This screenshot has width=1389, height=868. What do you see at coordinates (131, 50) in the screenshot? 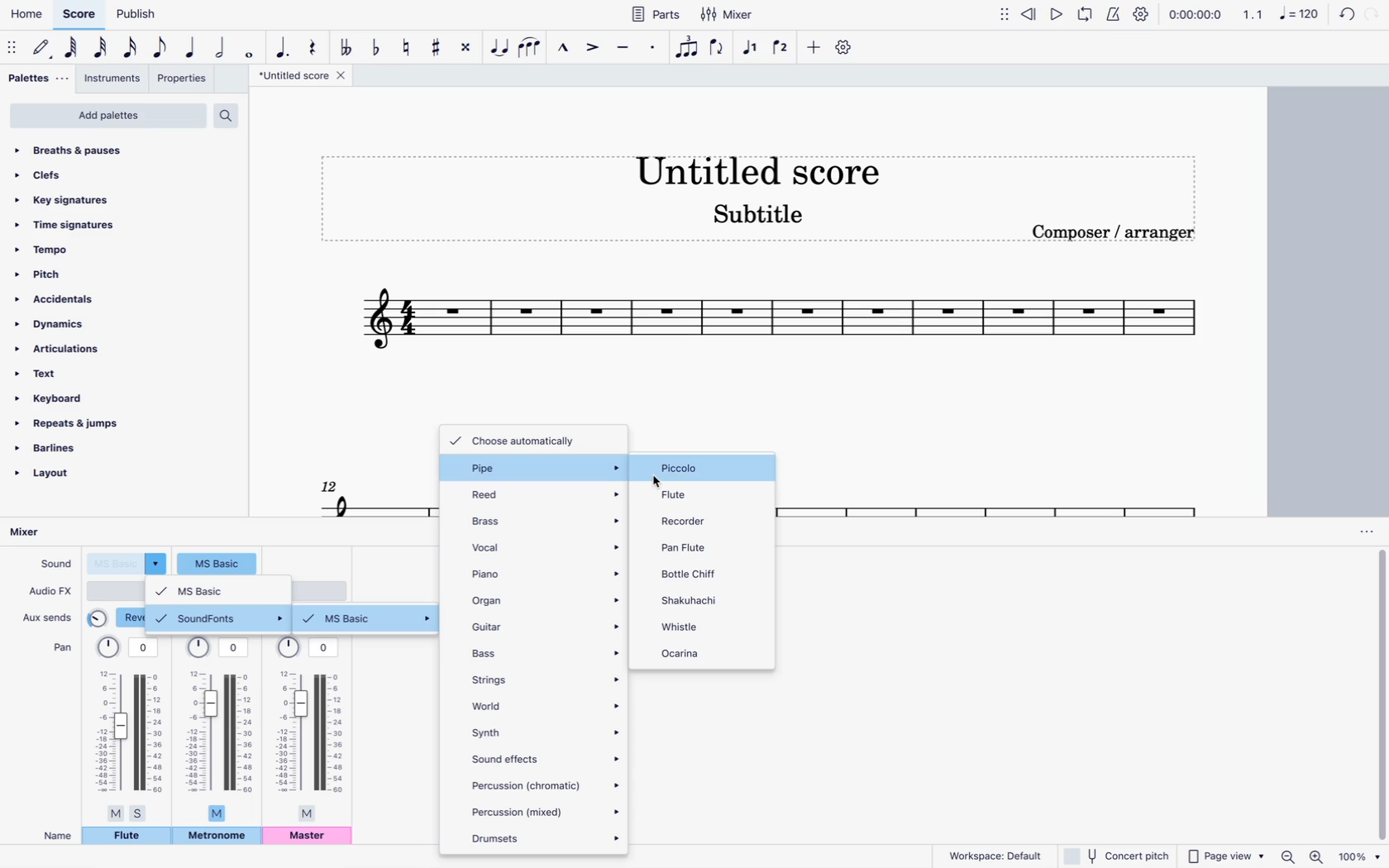
I see `16th note` at bounding box center [131, 50].